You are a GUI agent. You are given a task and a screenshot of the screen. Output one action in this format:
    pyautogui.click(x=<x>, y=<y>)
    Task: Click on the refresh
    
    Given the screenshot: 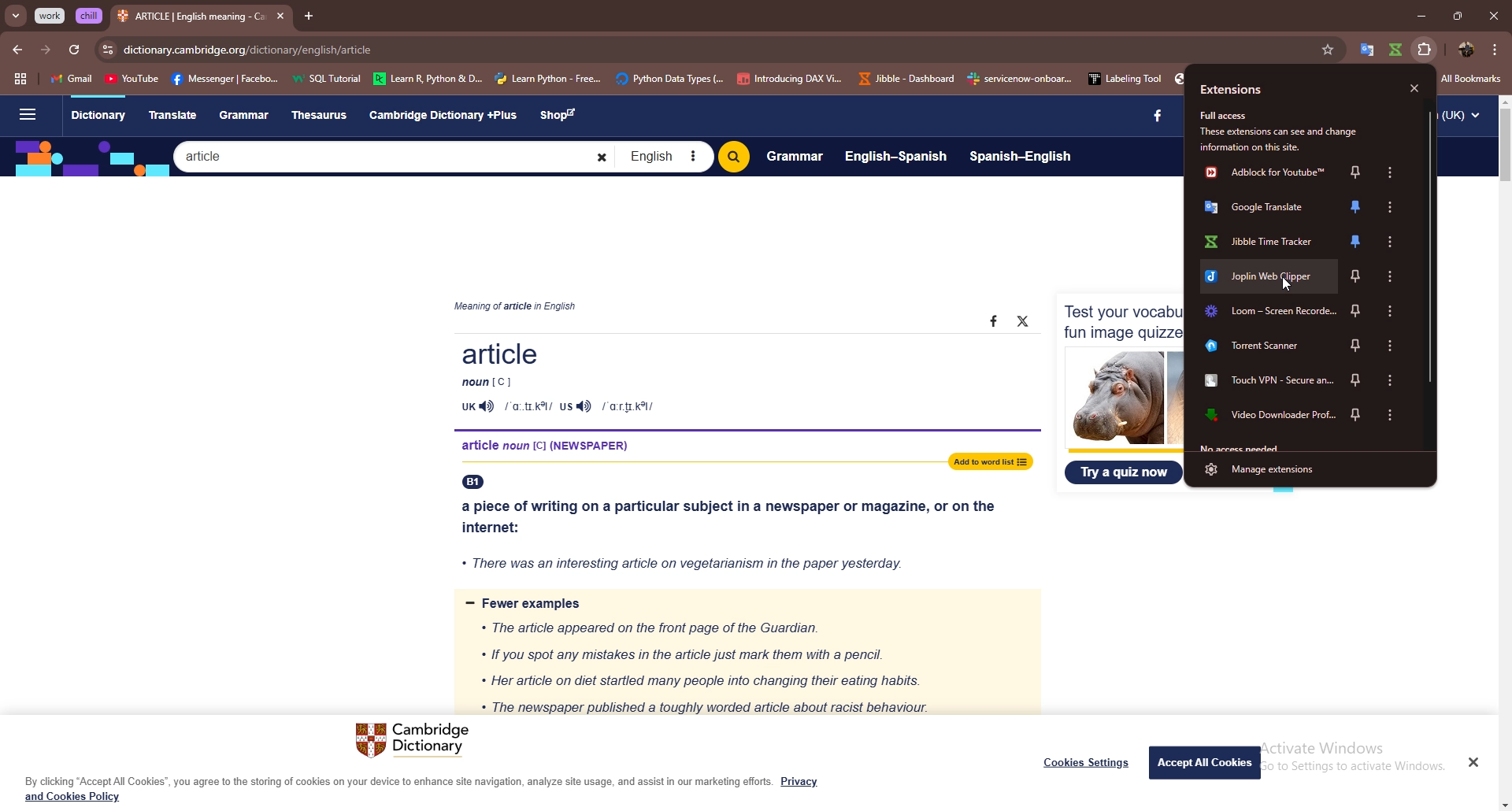 What is the action you would take?
    pyautogui.click(x=73, y=50)
    